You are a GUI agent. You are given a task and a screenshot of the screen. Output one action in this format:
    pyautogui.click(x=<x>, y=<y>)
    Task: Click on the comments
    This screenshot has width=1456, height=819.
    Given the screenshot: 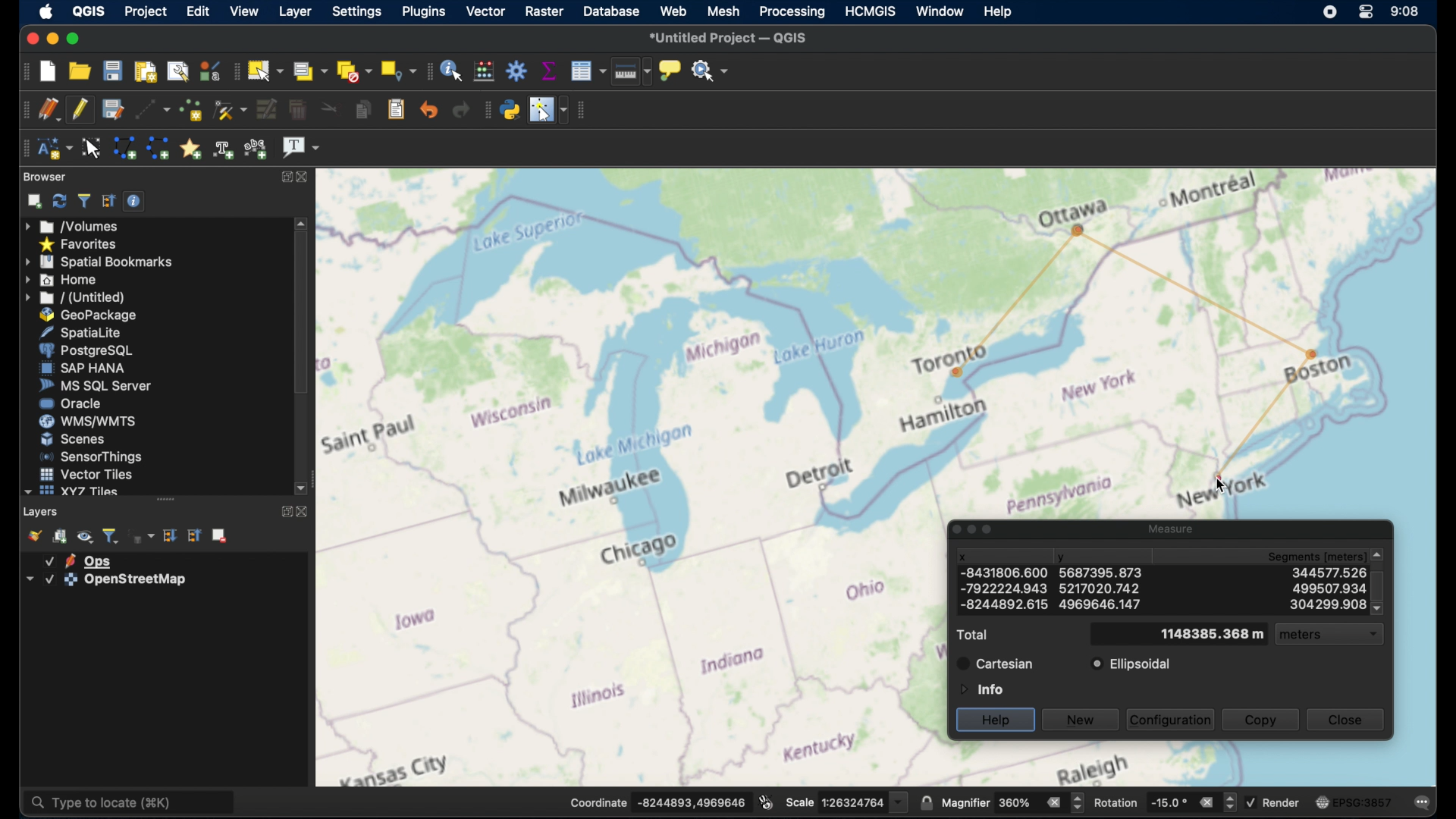 What is the action you would take?
    pyautogui.click(x=1423, y=801)
    